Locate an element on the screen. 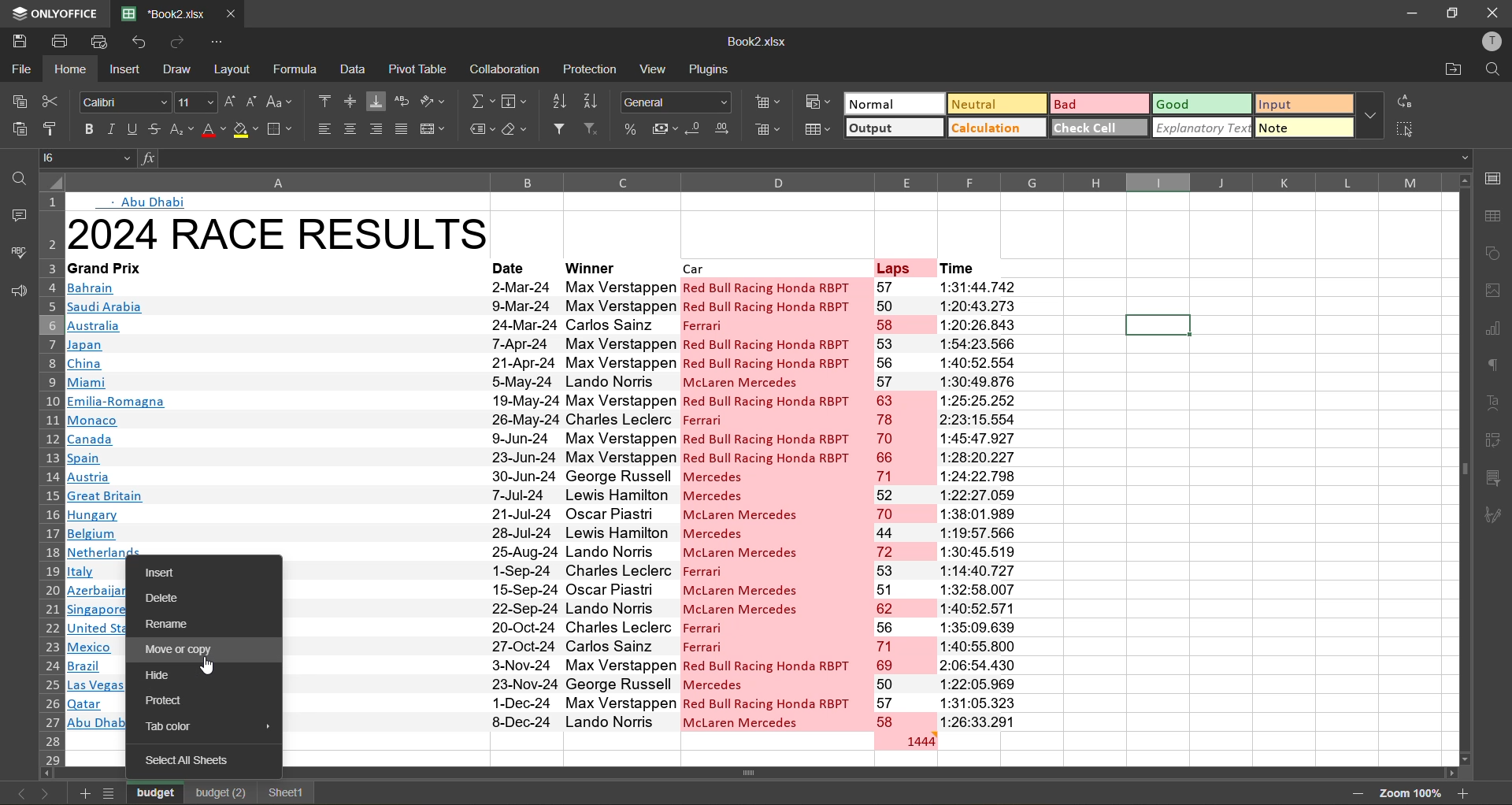 This screenshot has width=1512, height=805. zoom in is located at coordinates (1464, 792).